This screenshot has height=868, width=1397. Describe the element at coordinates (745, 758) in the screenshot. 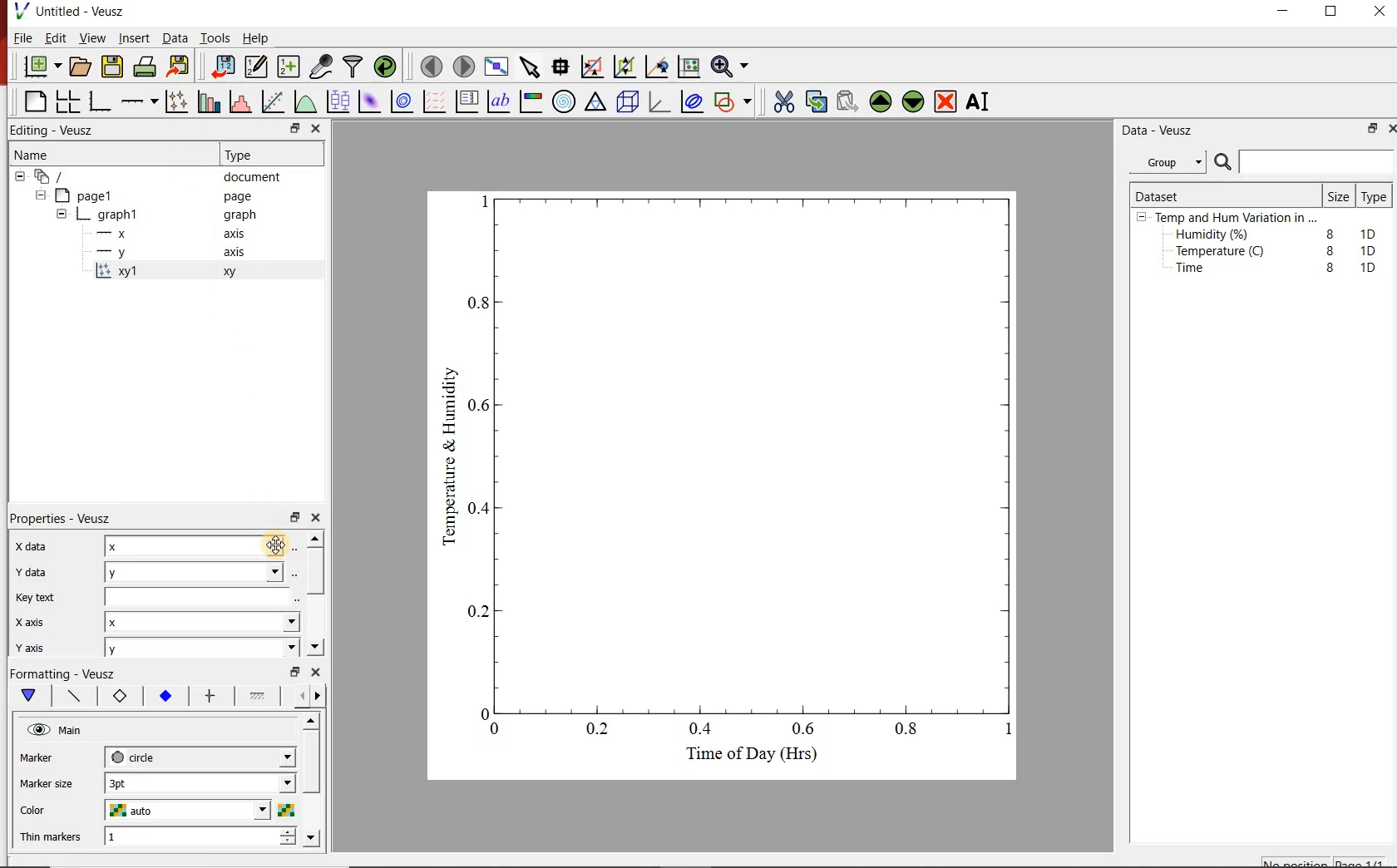

I see `Time of Day (Hrs)` at that location.